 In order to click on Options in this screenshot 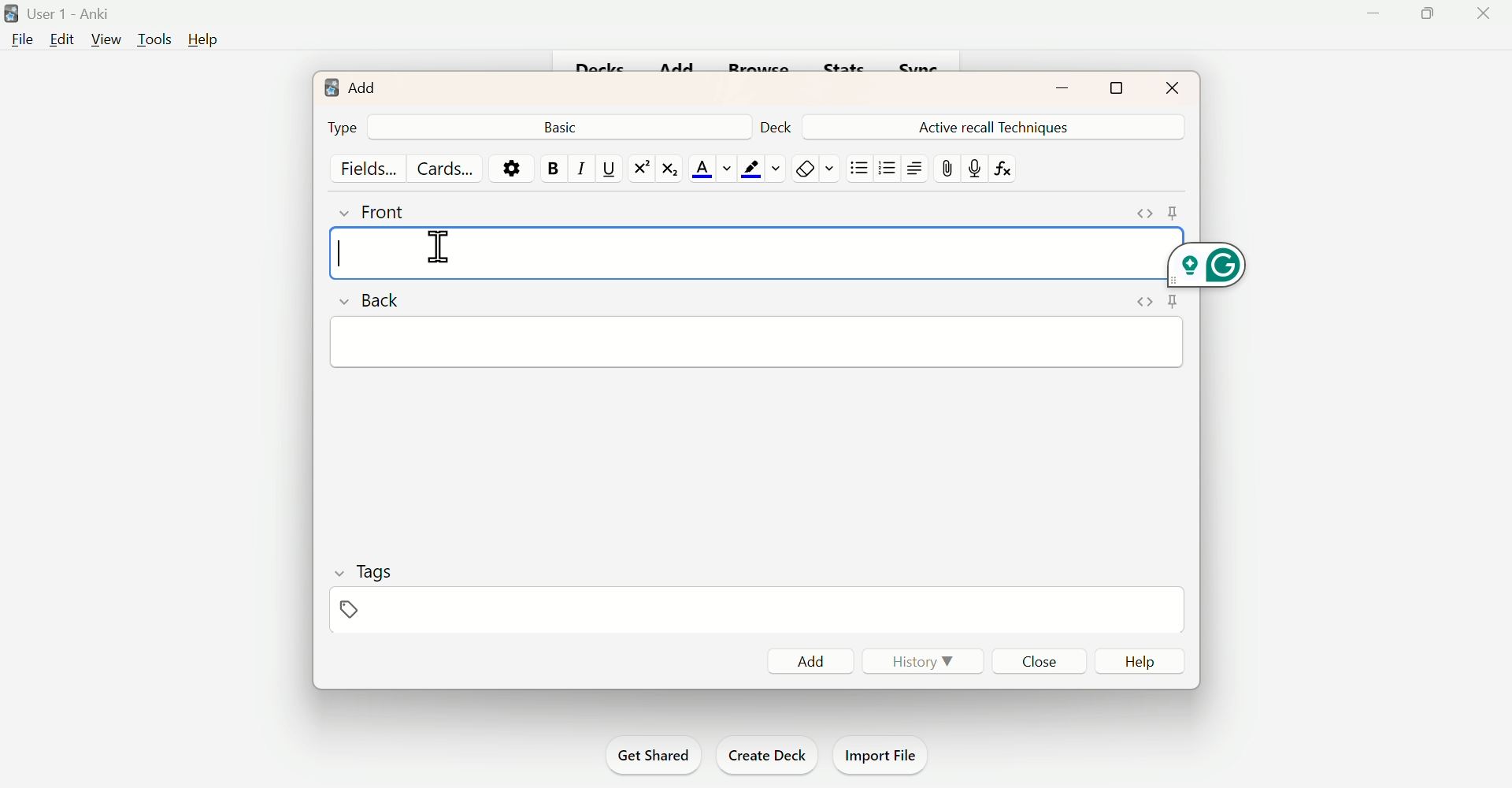, I will do `click(513, 167)`.